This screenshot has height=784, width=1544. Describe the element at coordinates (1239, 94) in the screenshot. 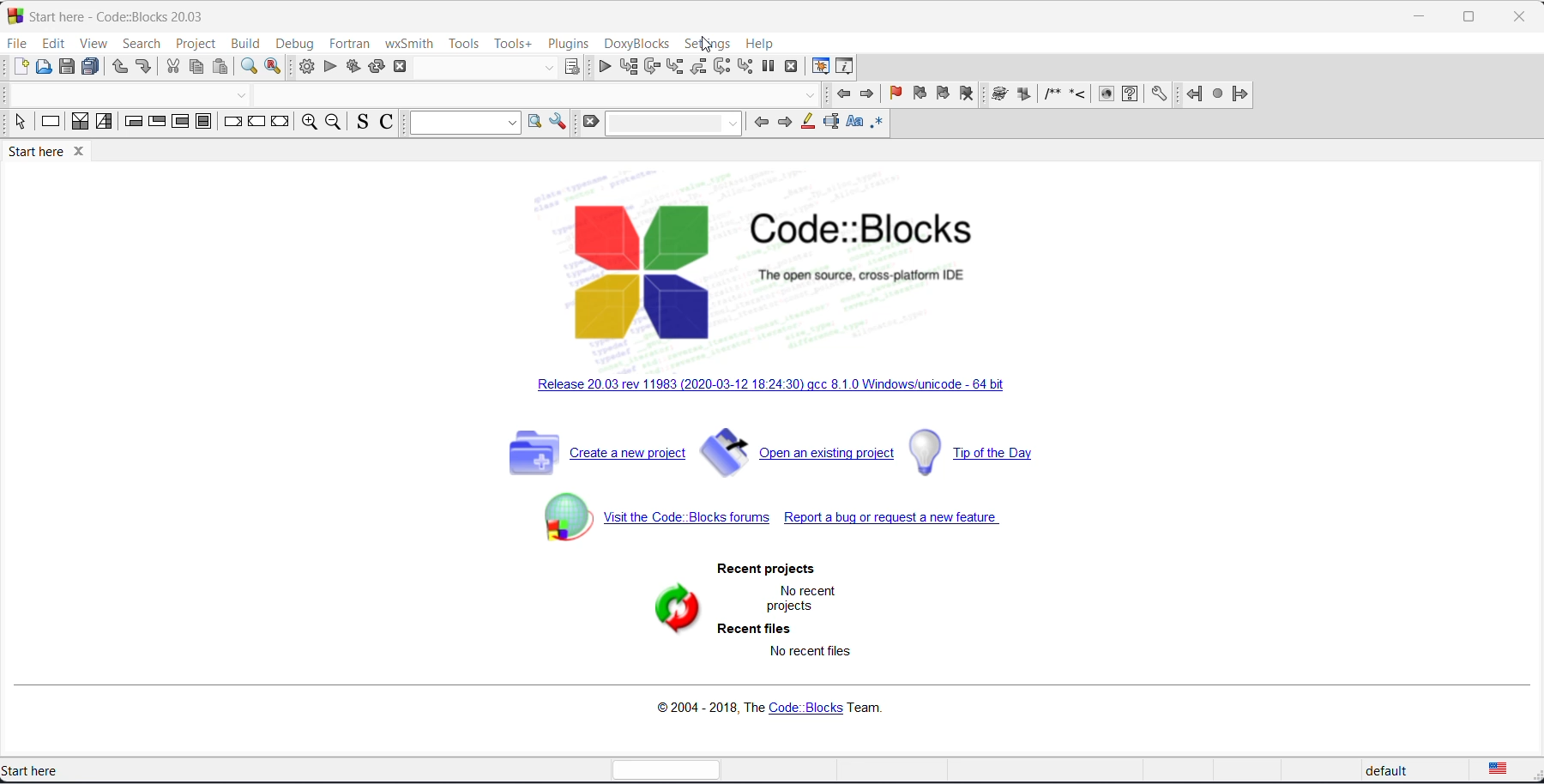

I see `jump forward` at that location.